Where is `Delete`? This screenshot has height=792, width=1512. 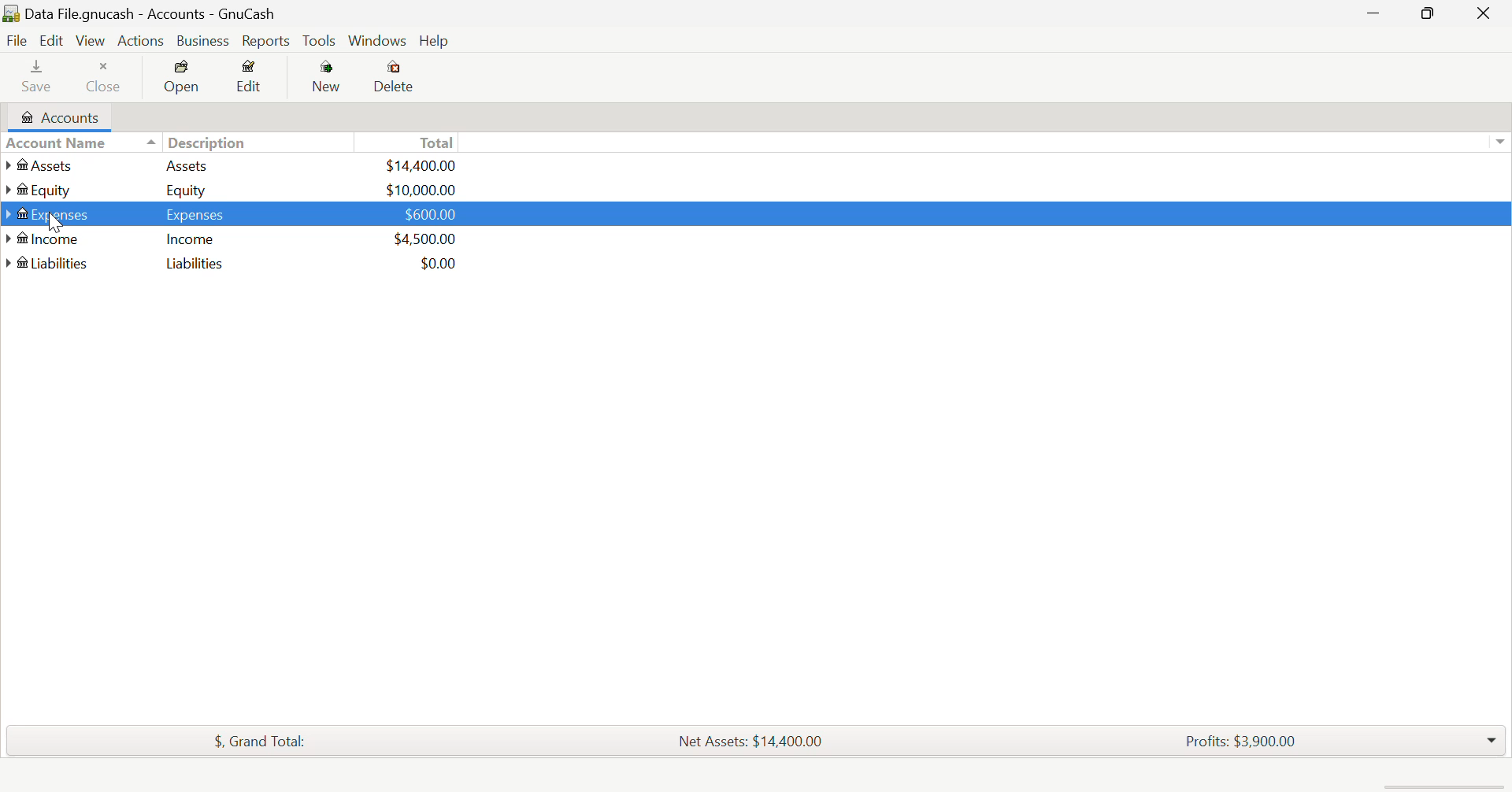 Delete is located at coordinates (398, 77).